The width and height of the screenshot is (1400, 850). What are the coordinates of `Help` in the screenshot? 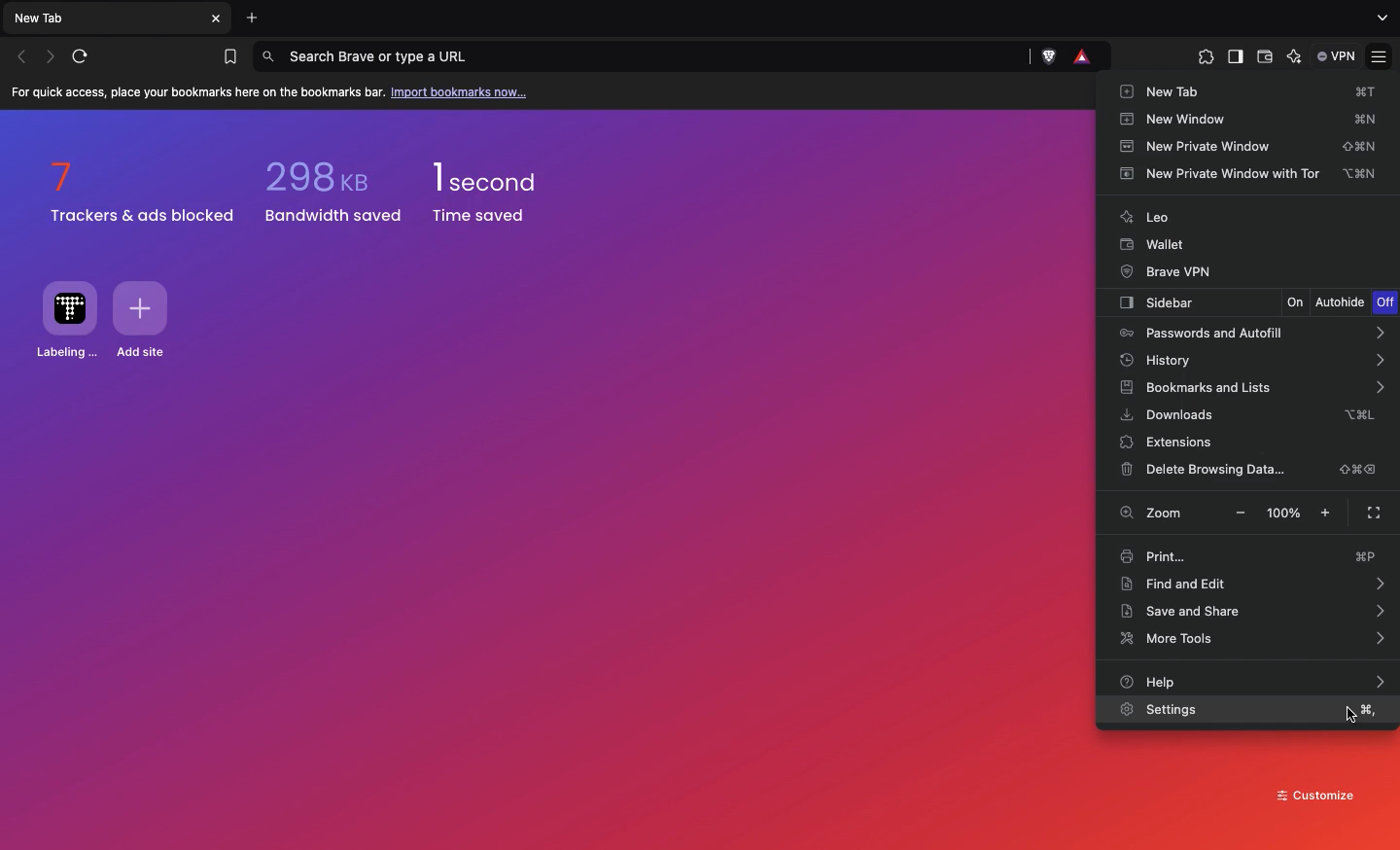 It's located at (1242, 683).